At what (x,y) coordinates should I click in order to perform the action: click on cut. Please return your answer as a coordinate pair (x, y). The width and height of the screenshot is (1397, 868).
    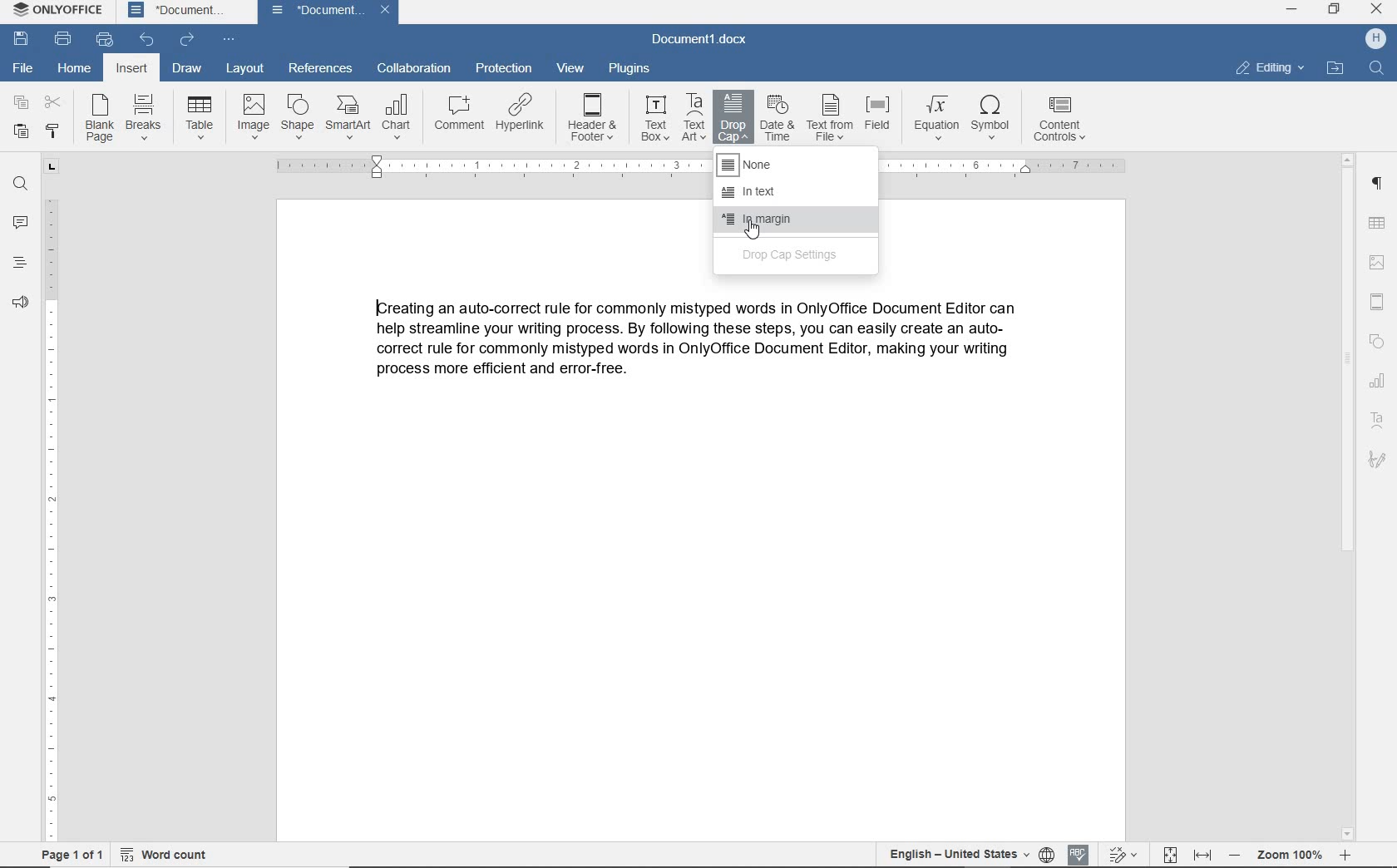
    Looking at the image, I should click on (51, 104).